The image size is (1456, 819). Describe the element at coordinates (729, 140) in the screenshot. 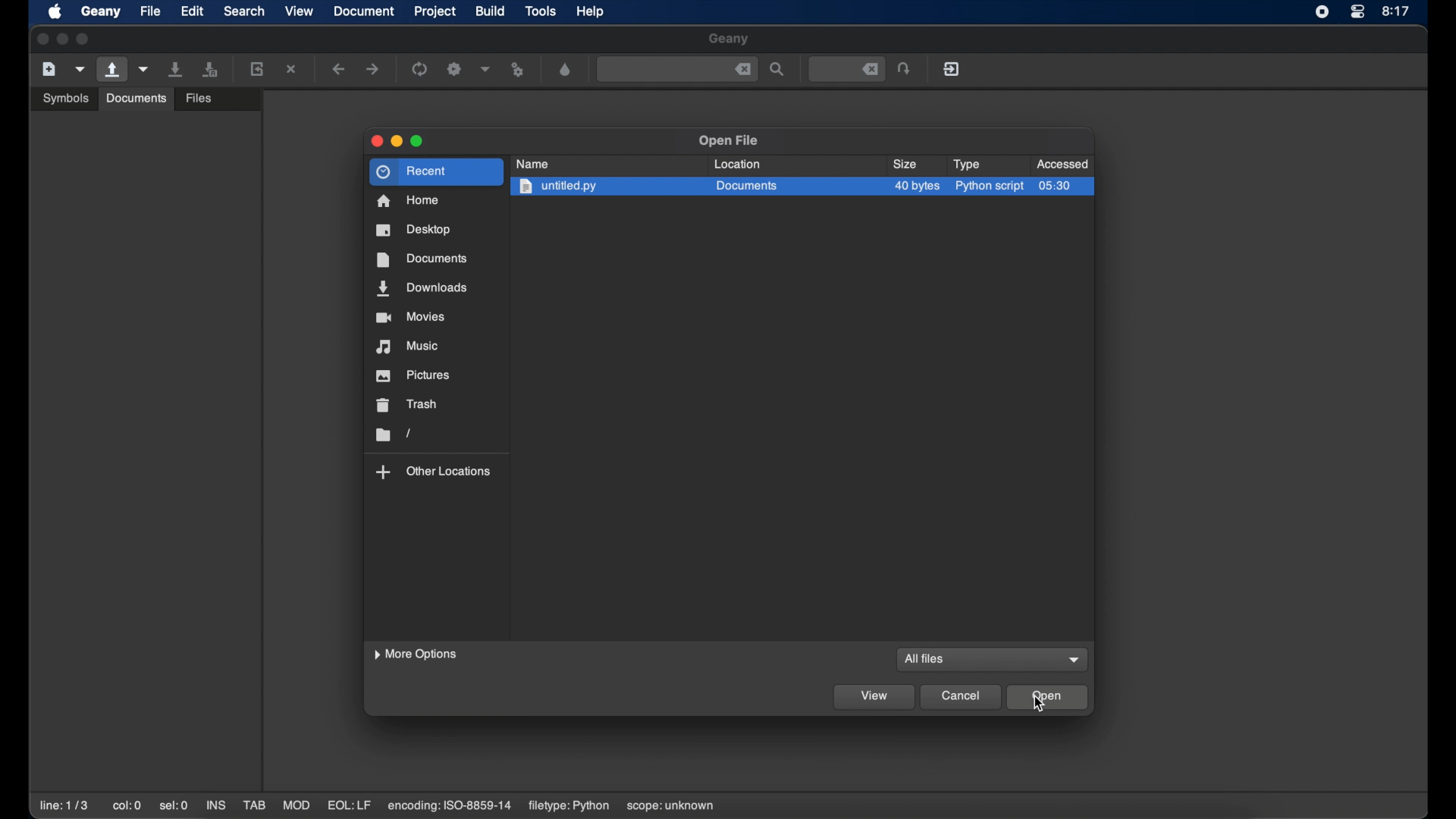

I see `open file` at that location.